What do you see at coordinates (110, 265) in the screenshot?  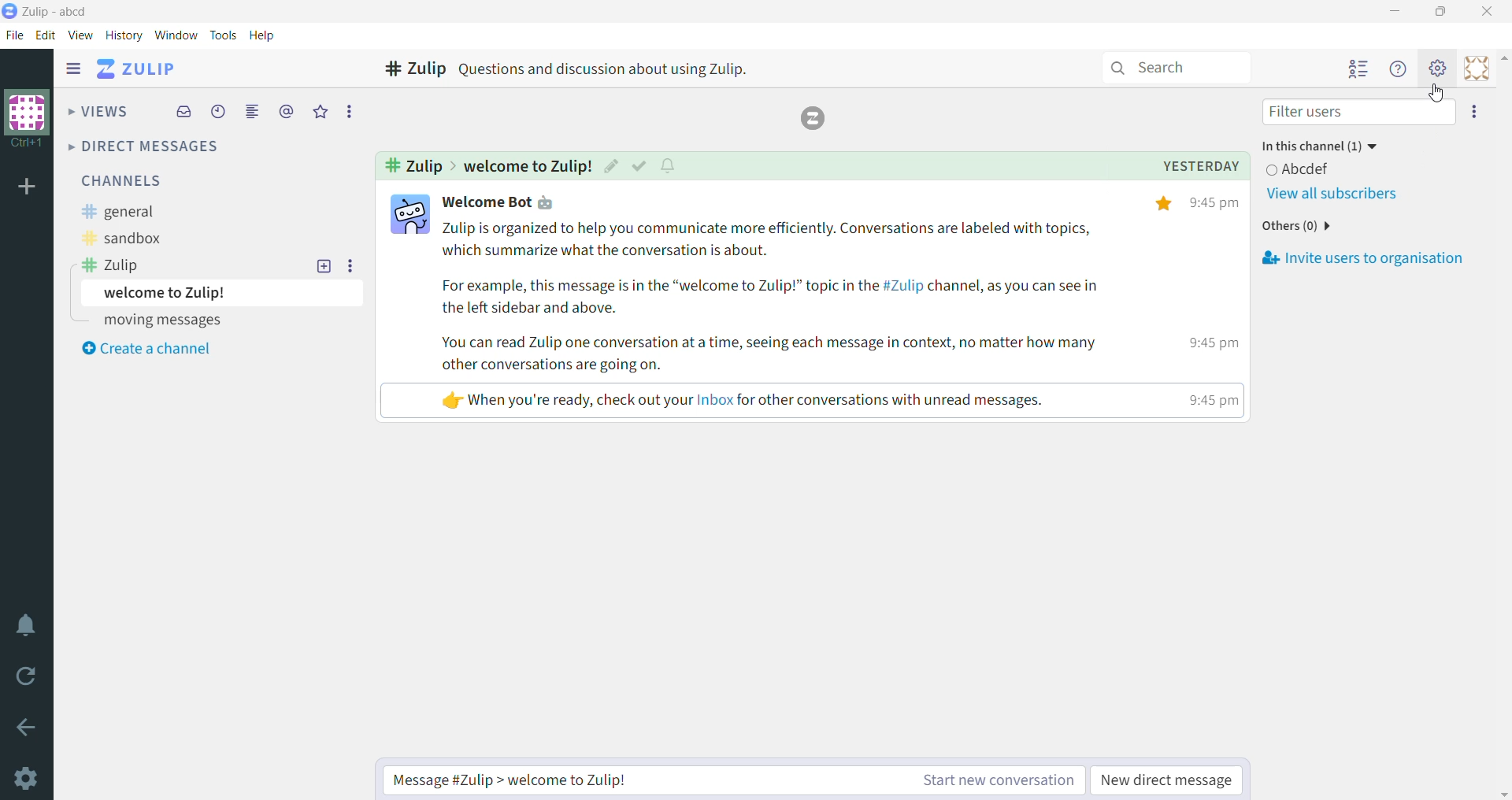 I see `Zulip` at bounding box center [110, 265].